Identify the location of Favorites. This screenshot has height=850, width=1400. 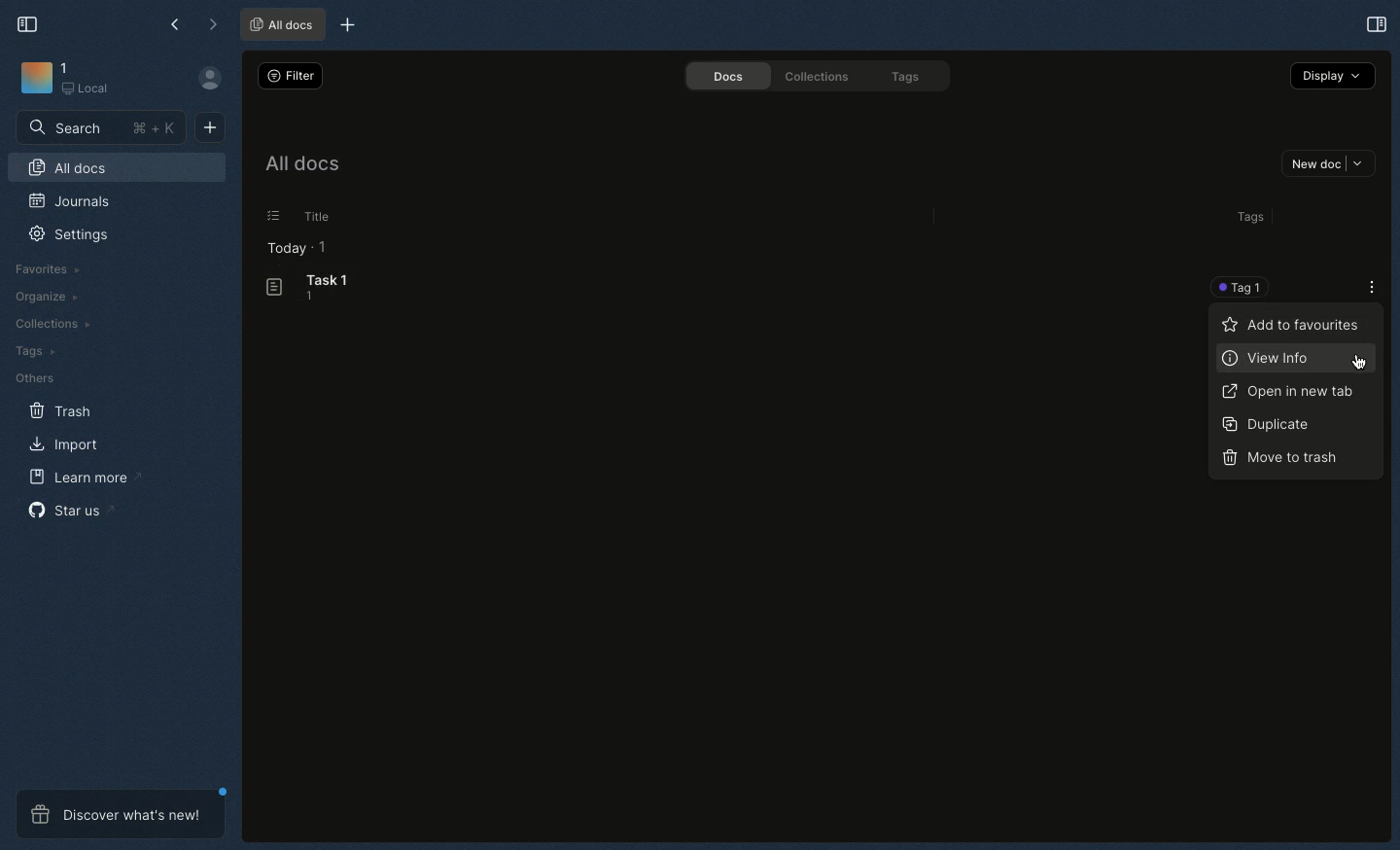
(47, 270).